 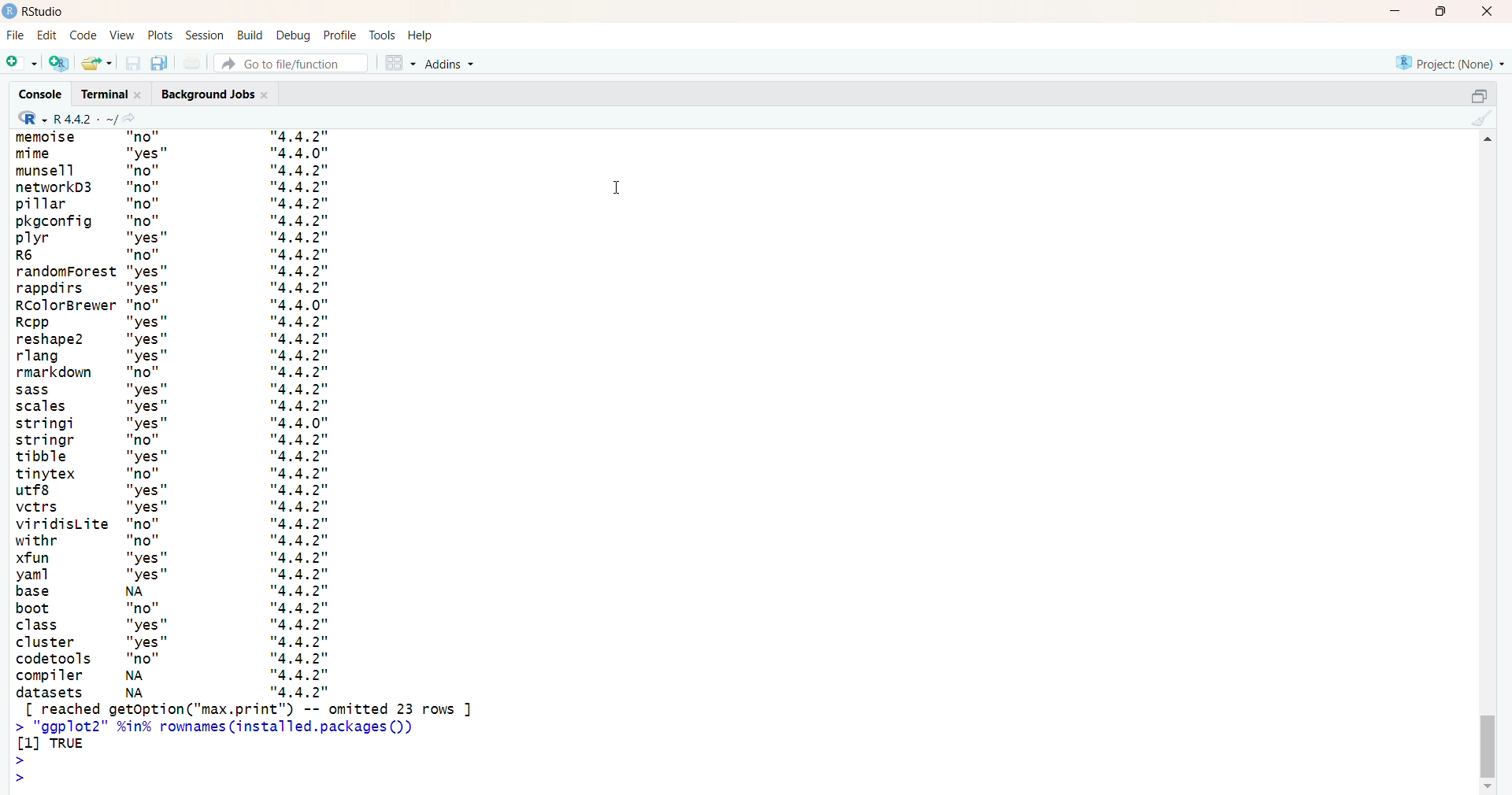 I want to click on maximize, so click(x=1440, y=11).